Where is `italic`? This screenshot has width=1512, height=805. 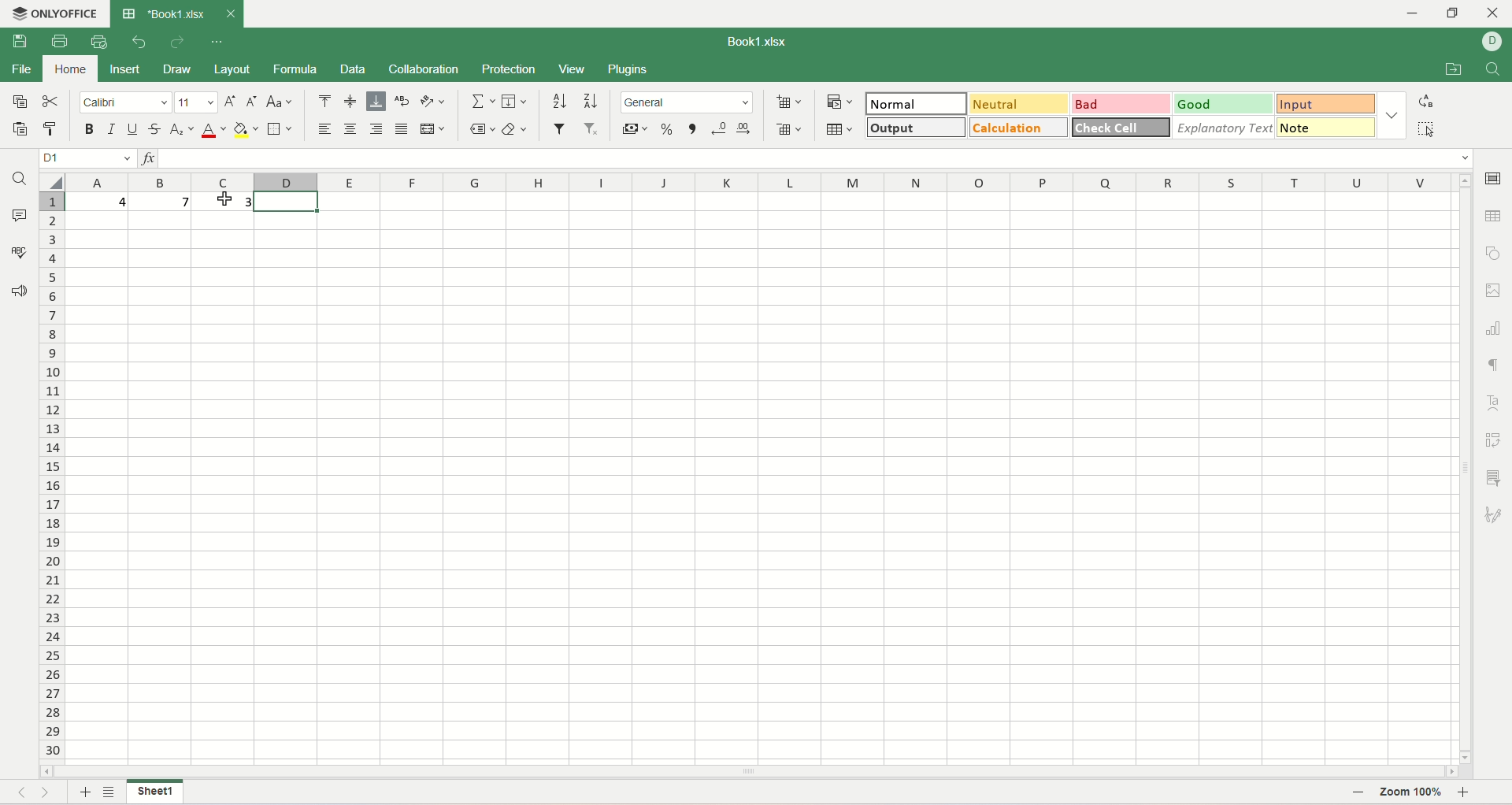 italic is located at coordinates (113, 129).